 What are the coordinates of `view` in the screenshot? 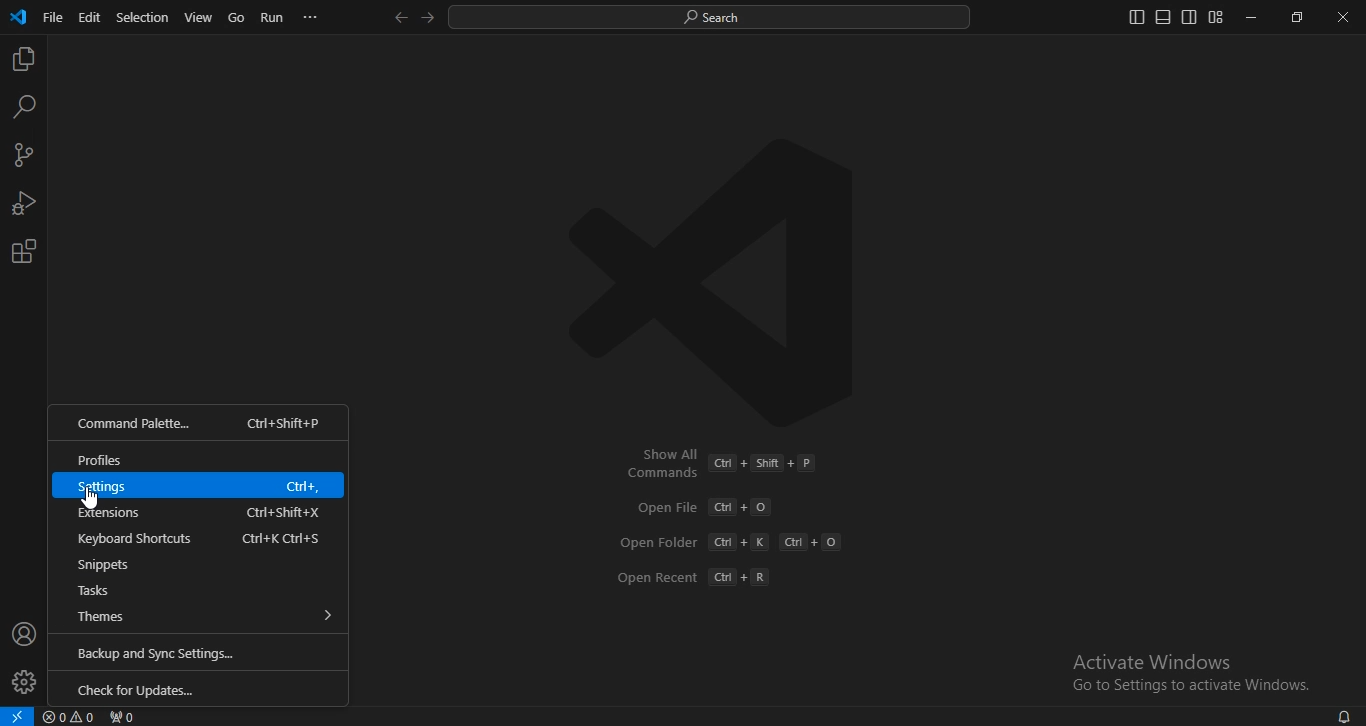 It's located at (199, 17).